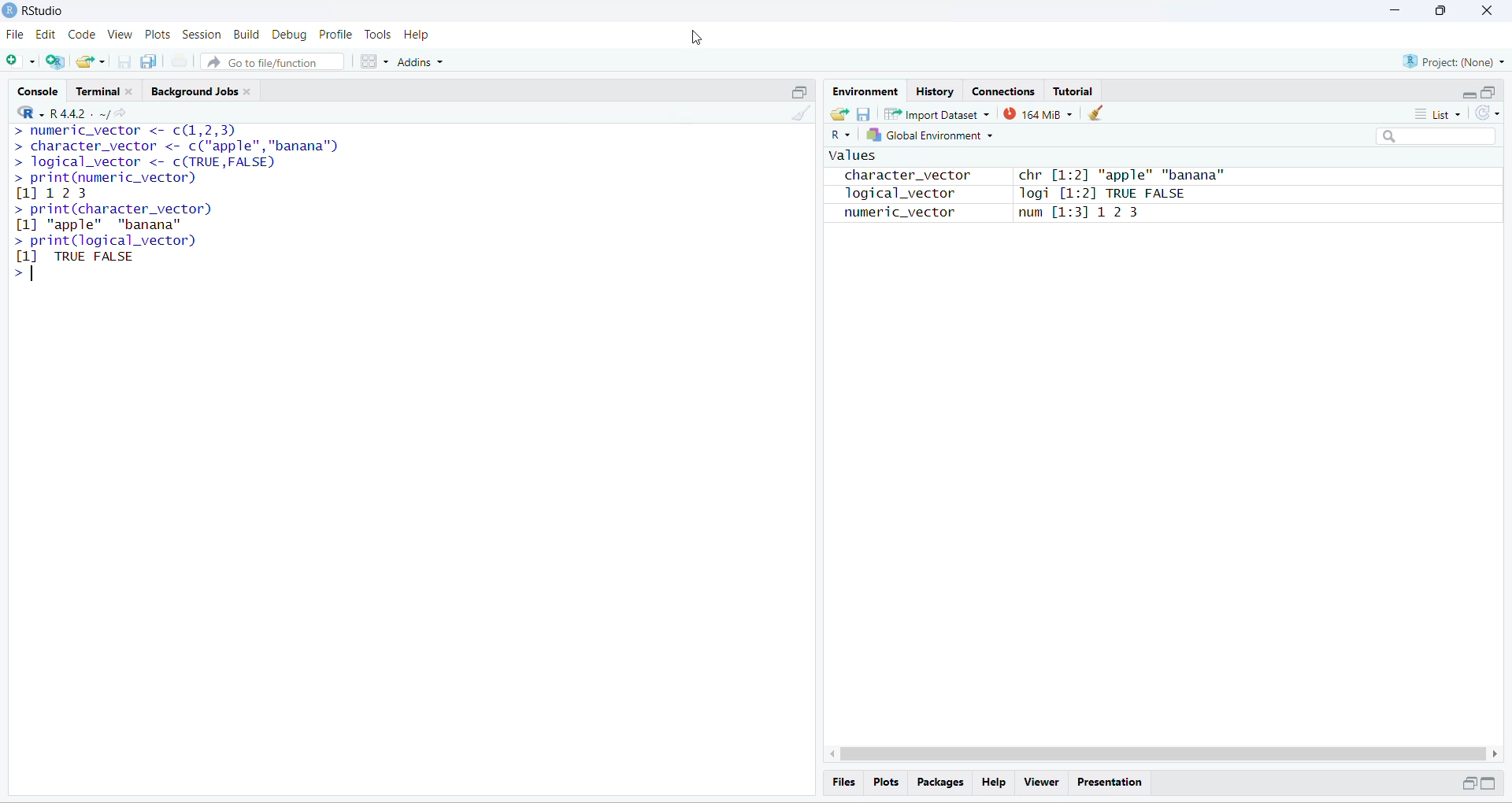  What do you see at coordinates (17, 59) in the screenshot?
I see `new file` at bounding box center [17, 59].